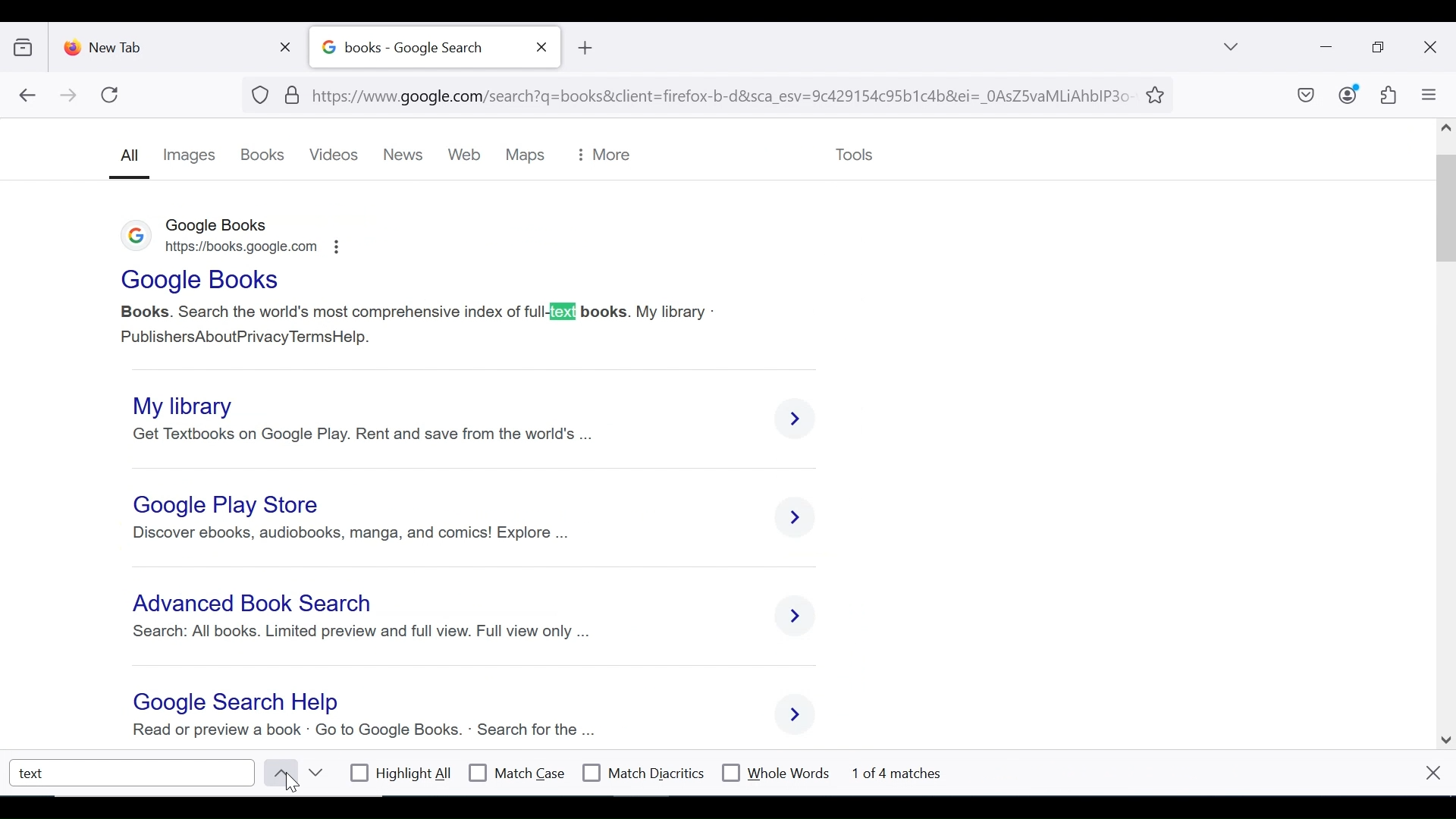 This screenshot has height=819, width=1456. What do you see at coordinates (467, 156) in the screenshot?
I see `web` at bounding box center [467, 156].